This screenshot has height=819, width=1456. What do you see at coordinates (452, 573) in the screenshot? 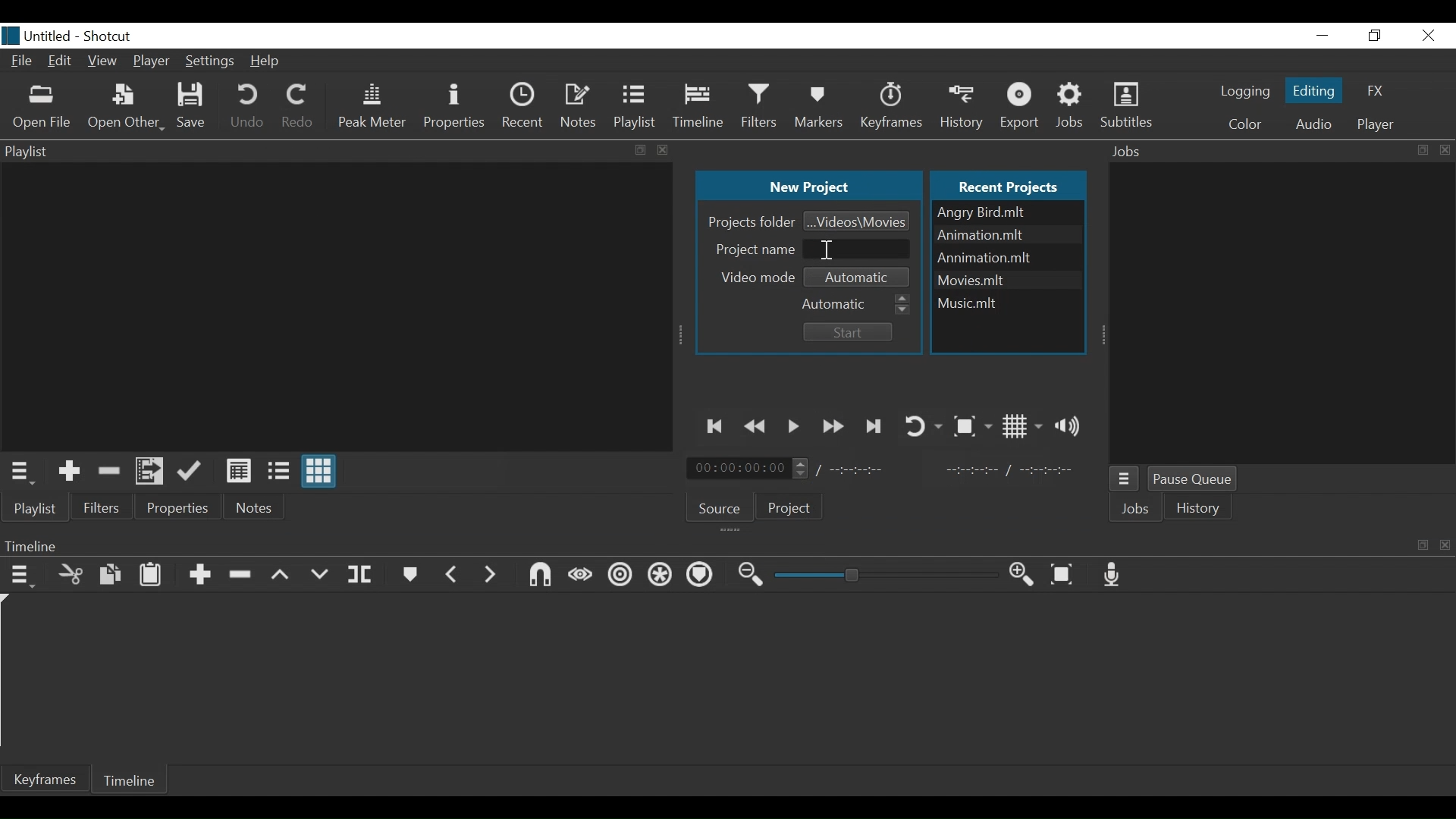
I see `Previous marker` at bounding box center [452, 573].